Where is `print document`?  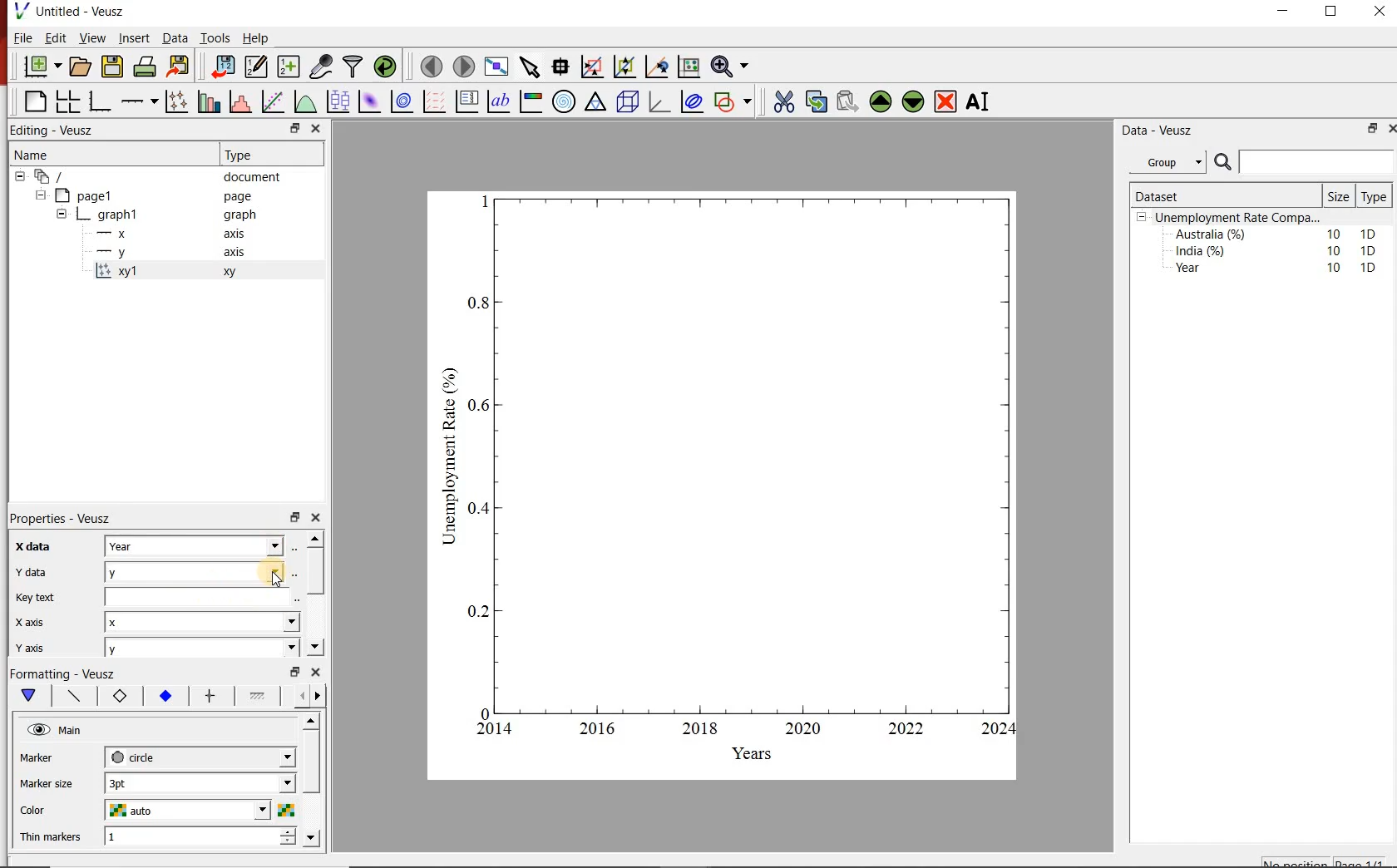
print document is located at coordinates (145, 65).